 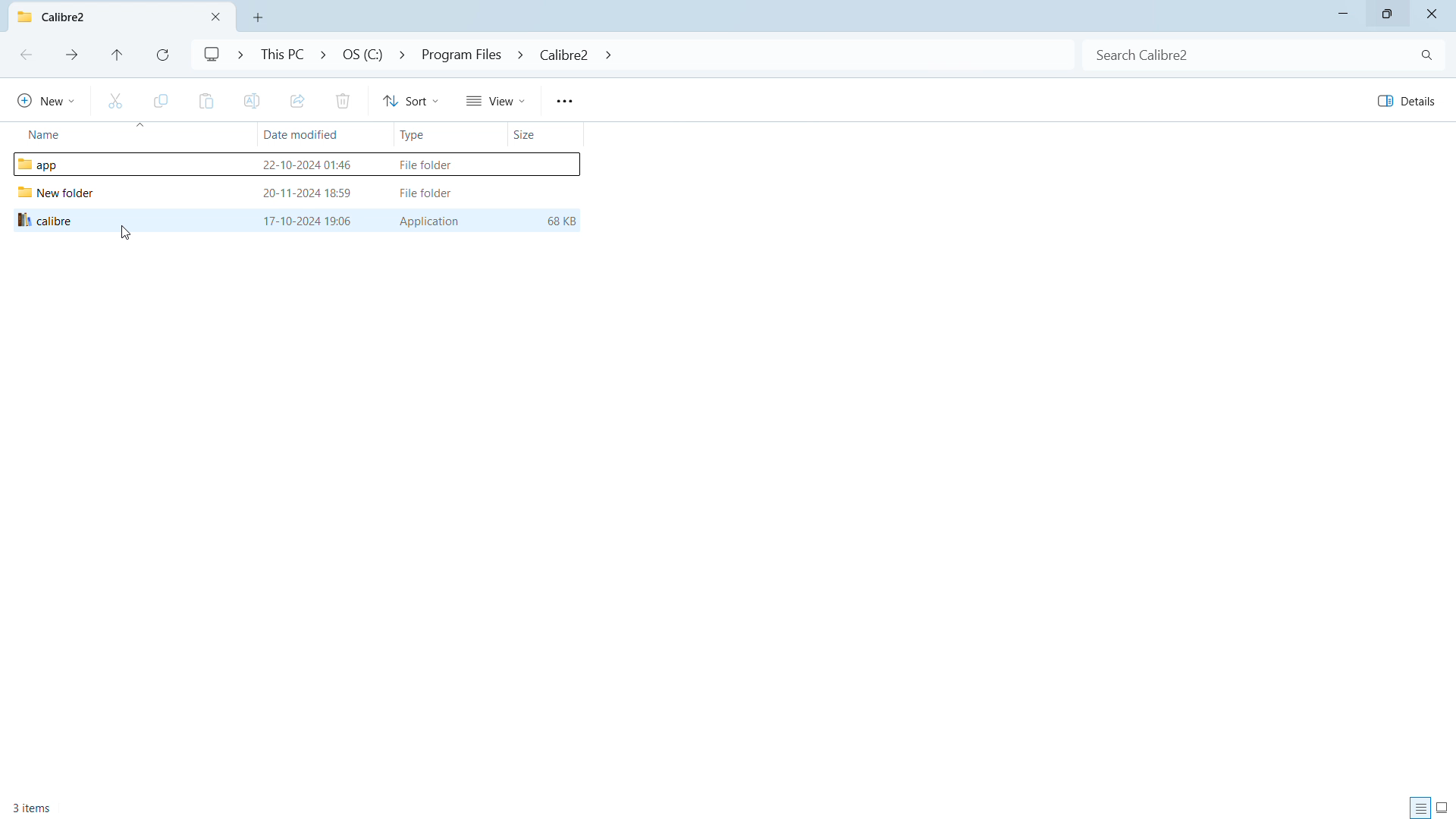 I want to click on refresh, so click(x=162, y=55).